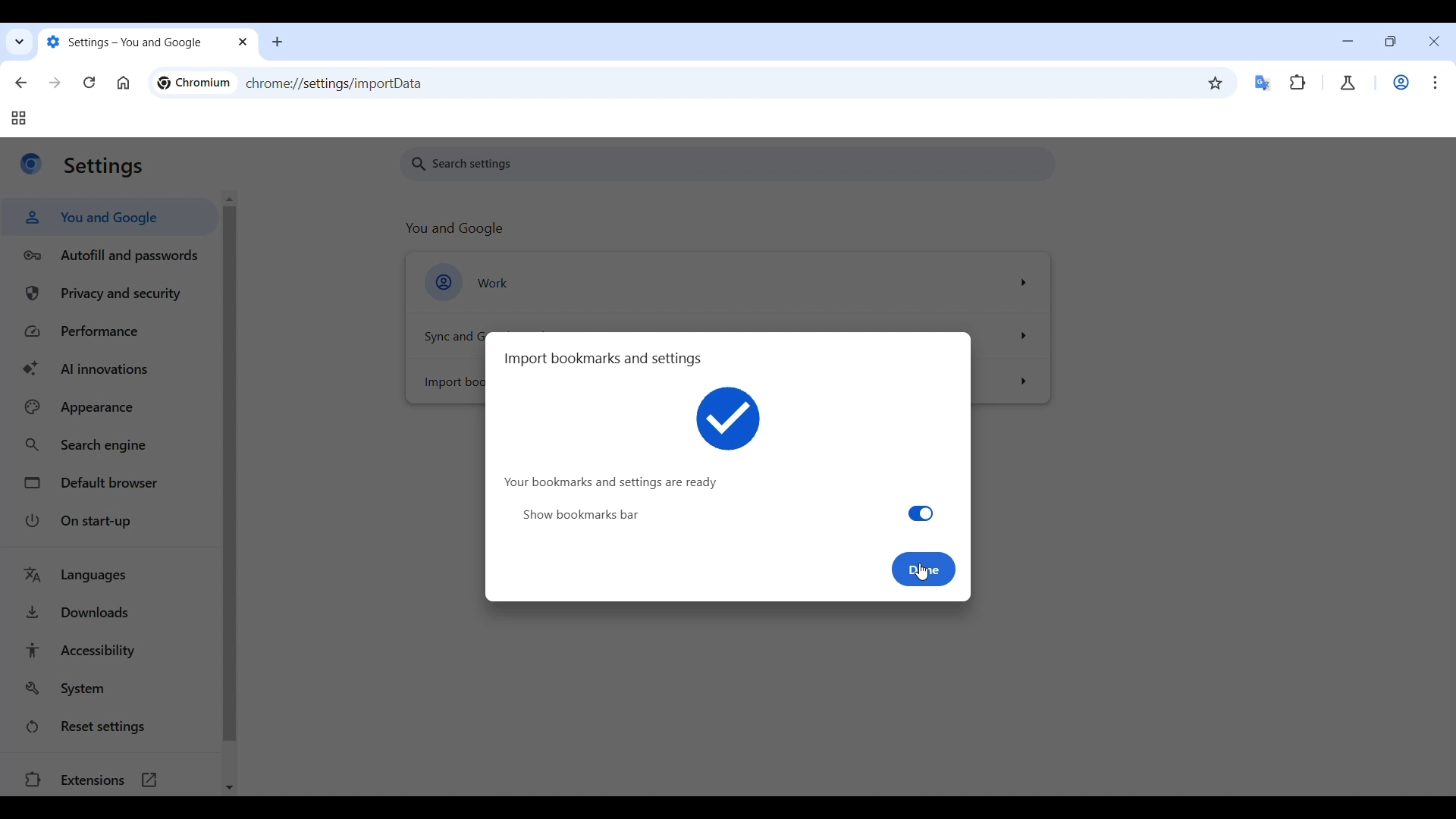 The image size is (1456, 819). I want to click on On start-up, so click(109, 522).